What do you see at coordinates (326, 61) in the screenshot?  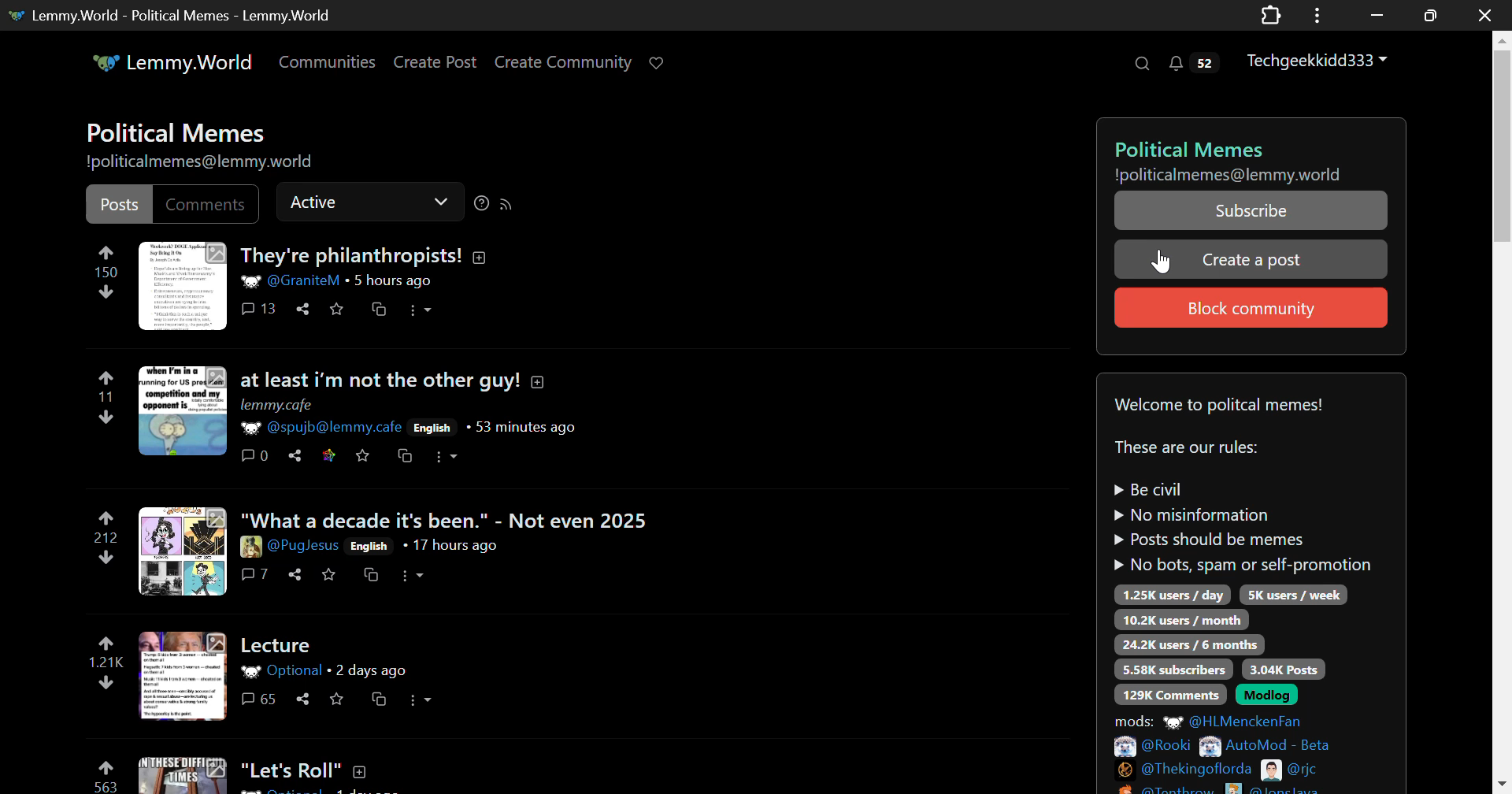 I see `Communities Page` at bounding box center [326, 61].